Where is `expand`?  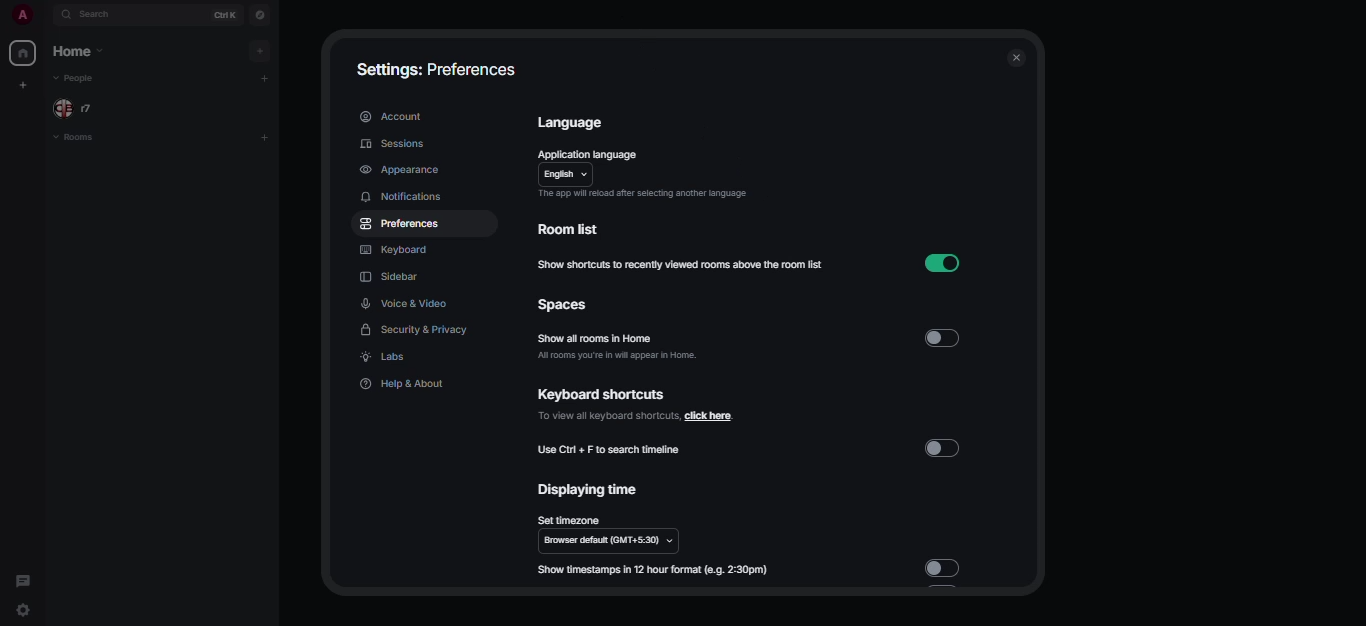 expand is located at coordinates (46, 13).